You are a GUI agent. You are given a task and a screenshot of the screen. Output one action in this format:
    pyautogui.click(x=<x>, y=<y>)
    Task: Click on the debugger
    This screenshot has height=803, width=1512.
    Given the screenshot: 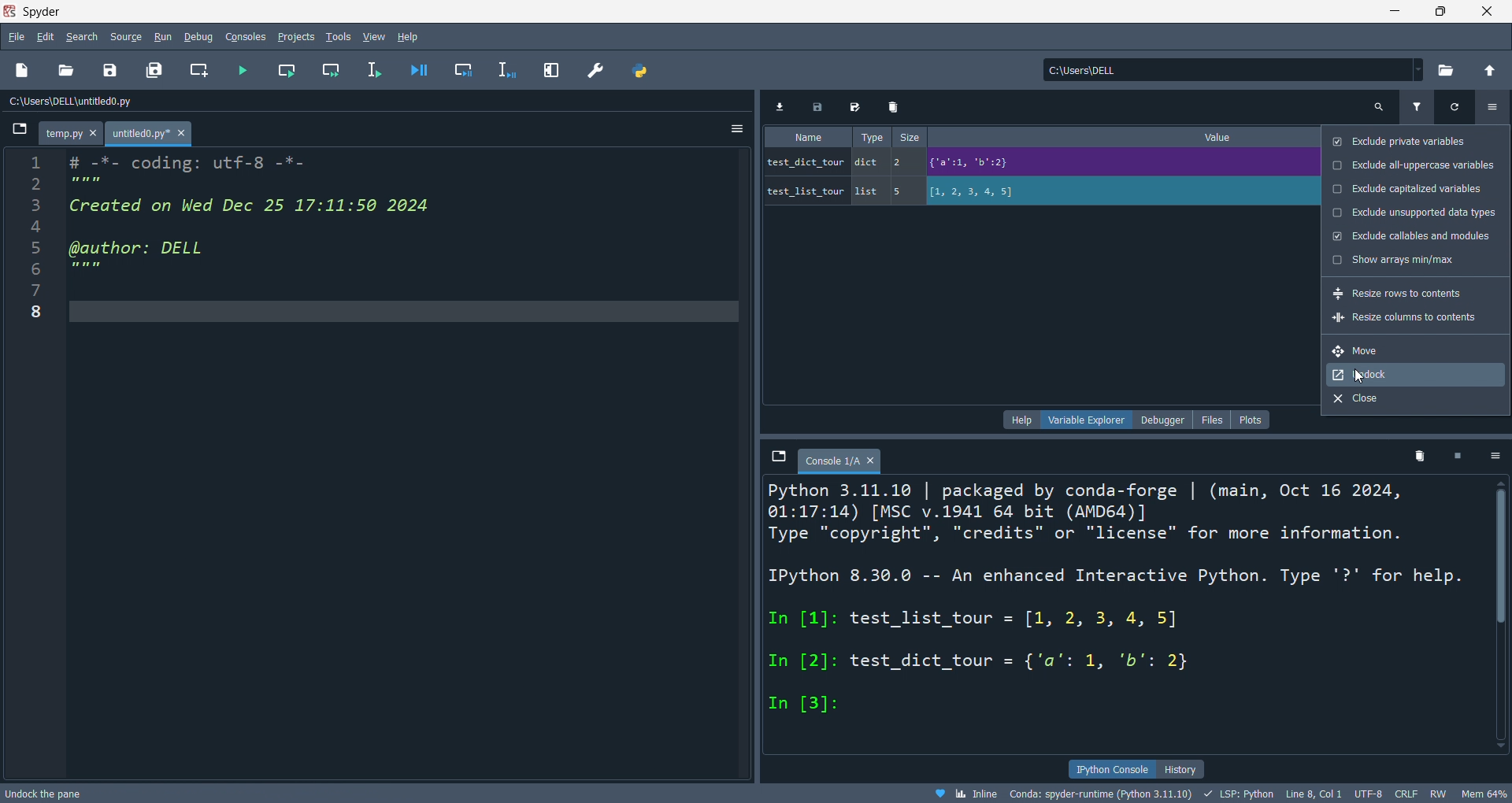 What is the action you would take?
    pyautogui.click(x=1164, y=419)
    